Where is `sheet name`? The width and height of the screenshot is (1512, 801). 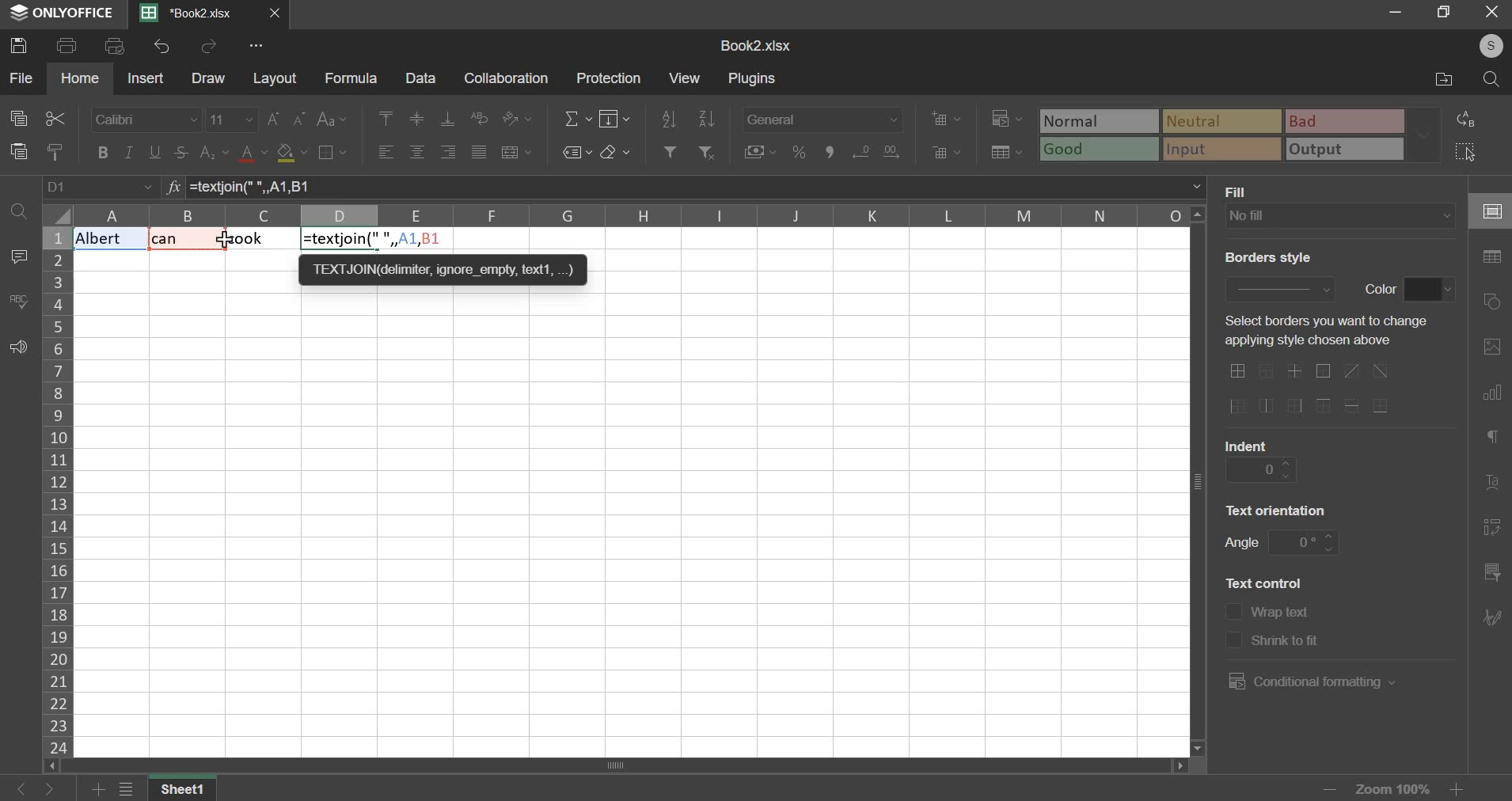
sheet name is located at coordinates (188, 790).